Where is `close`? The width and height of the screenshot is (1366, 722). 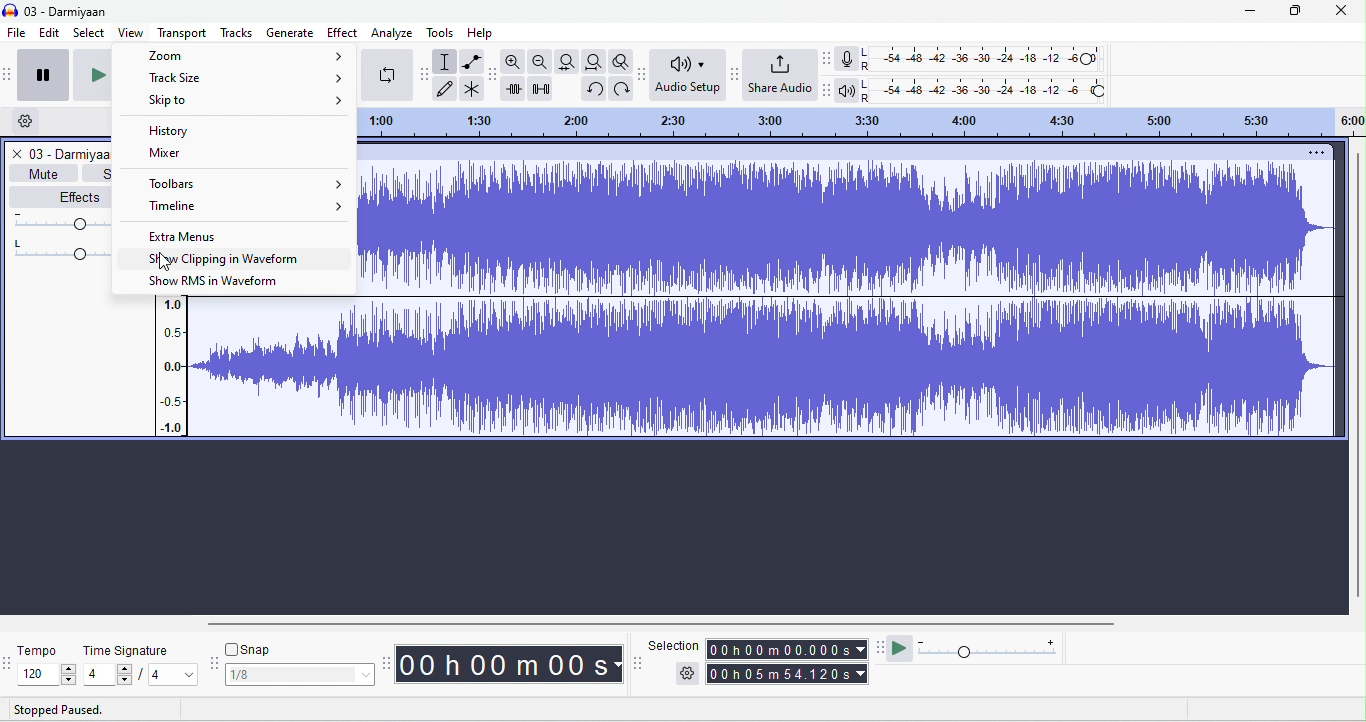 close is located at coordinates (17, 155).